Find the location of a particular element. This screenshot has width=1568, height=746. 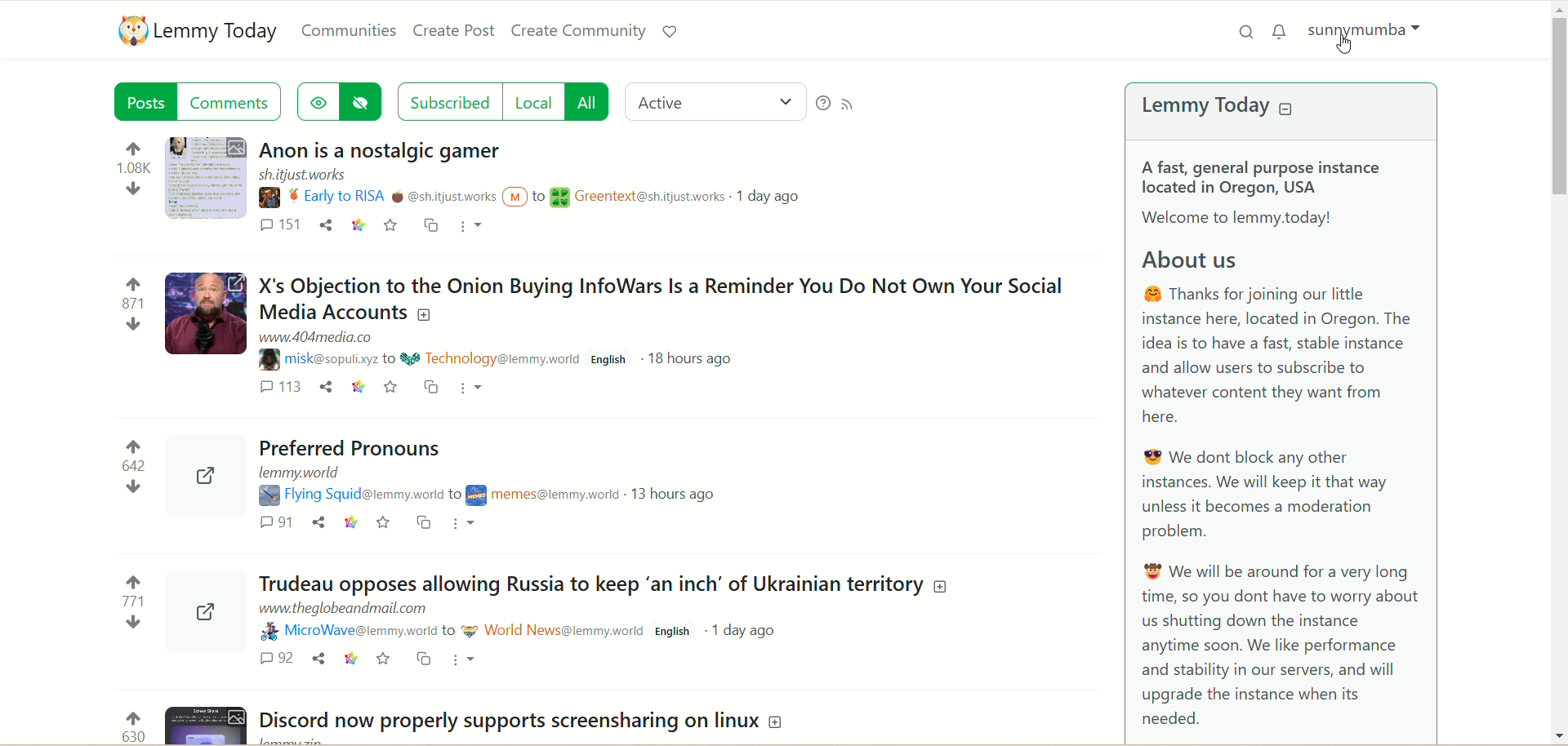

Votes is located at coordinates (130, 312).